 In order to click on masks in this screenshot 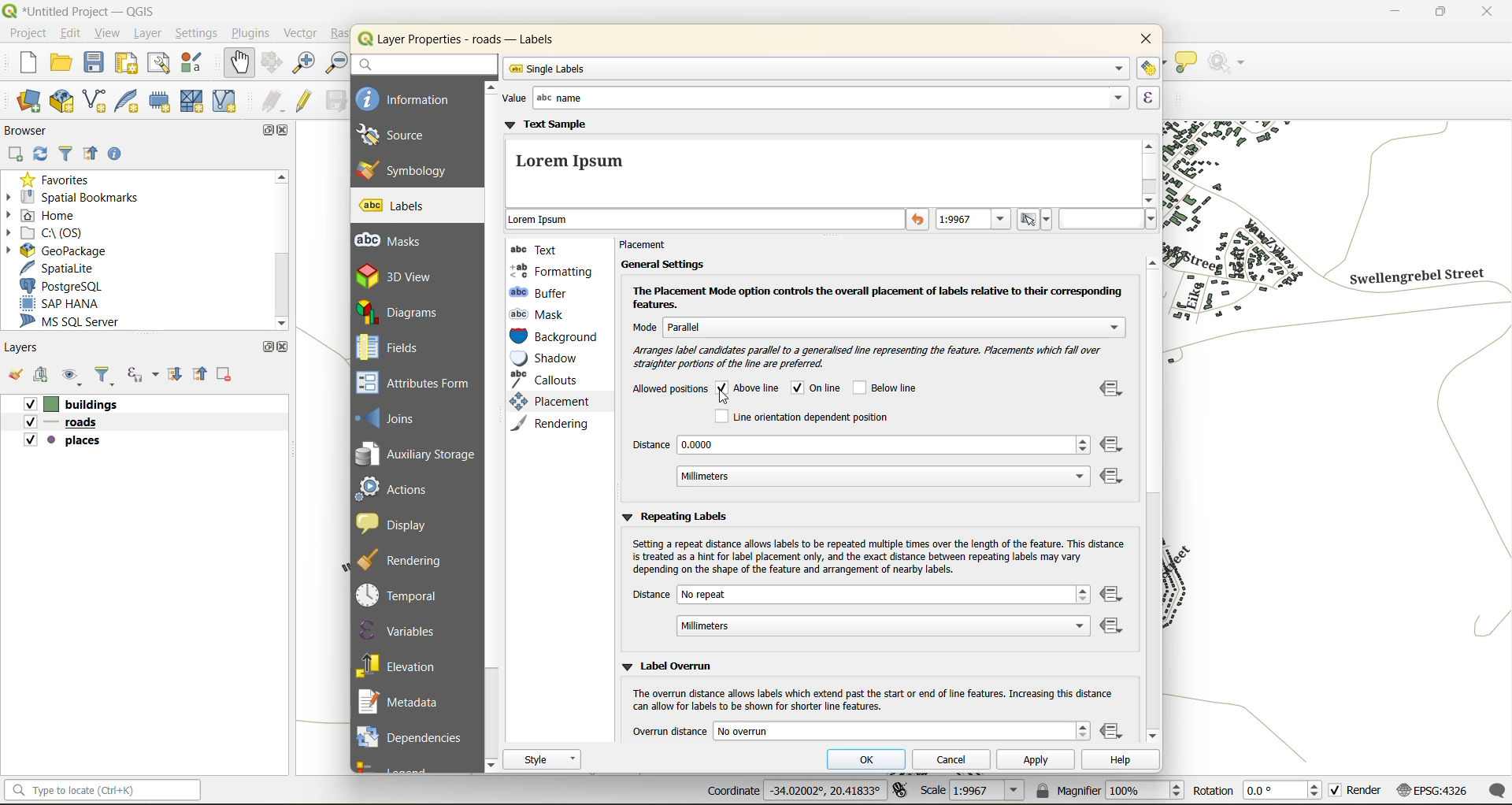, I will do `click(397, 241)`.